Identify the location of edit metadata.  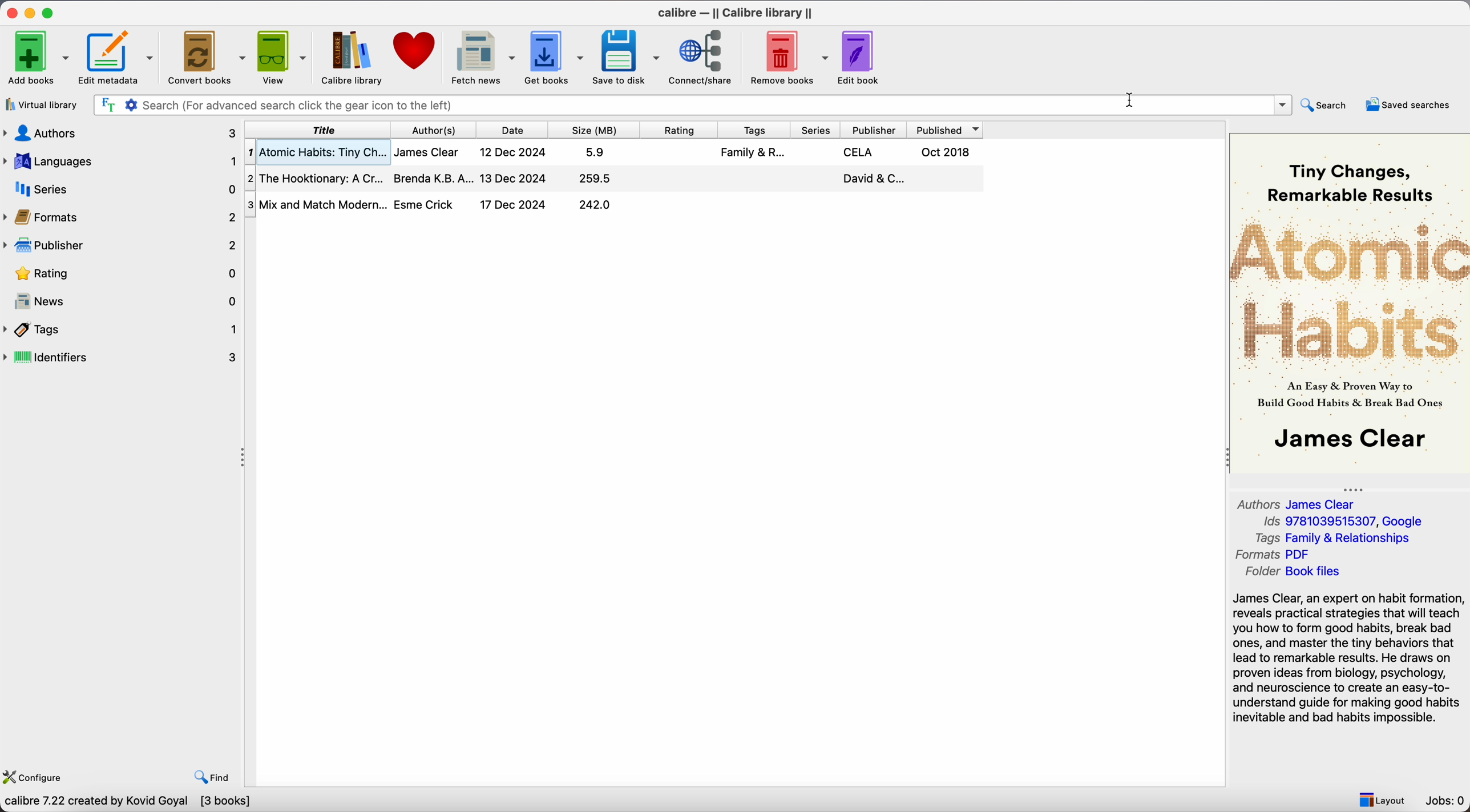
(118, 59).